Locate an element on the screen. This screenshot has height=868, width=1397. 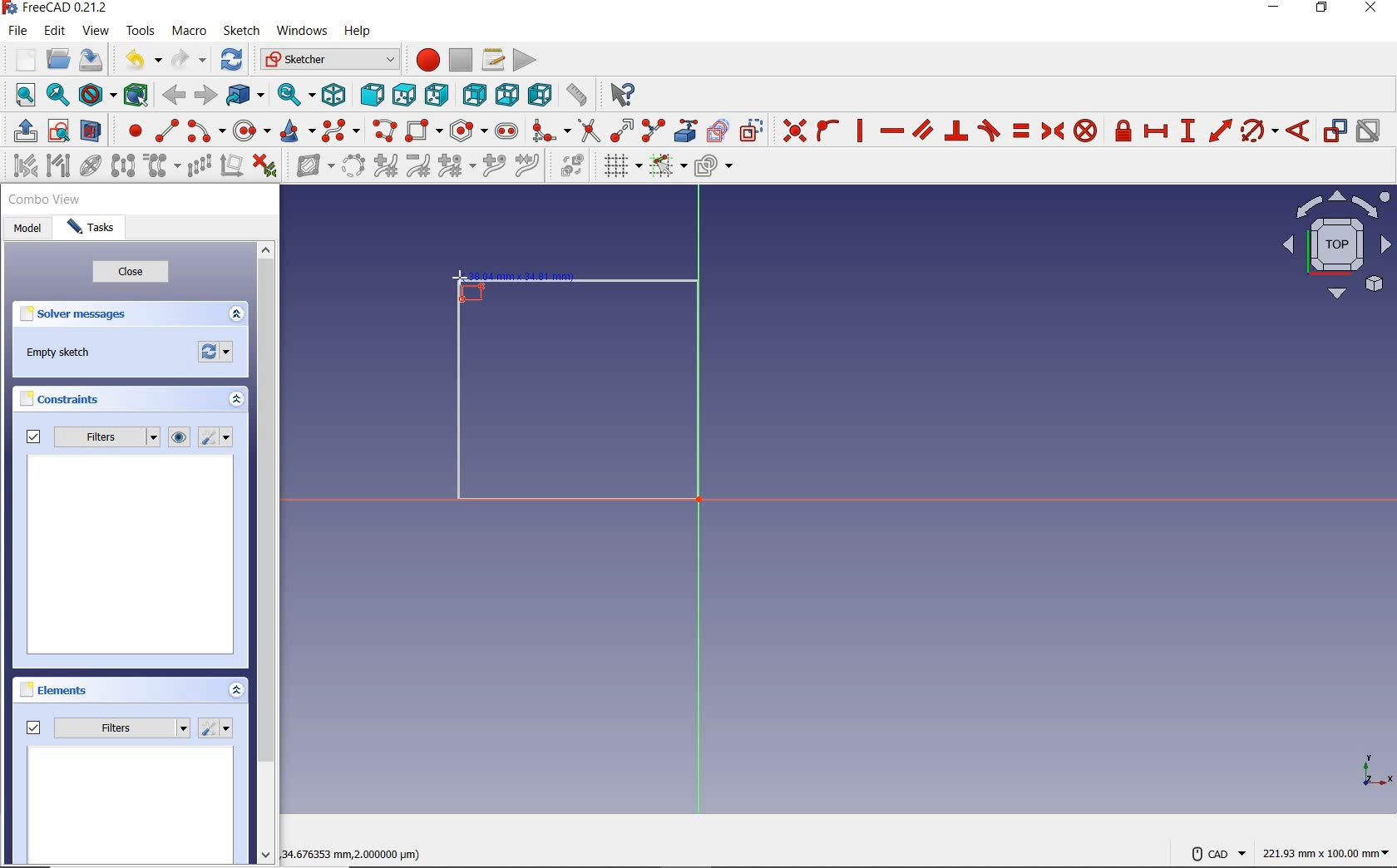
expand is located at coordinates (234, 401).